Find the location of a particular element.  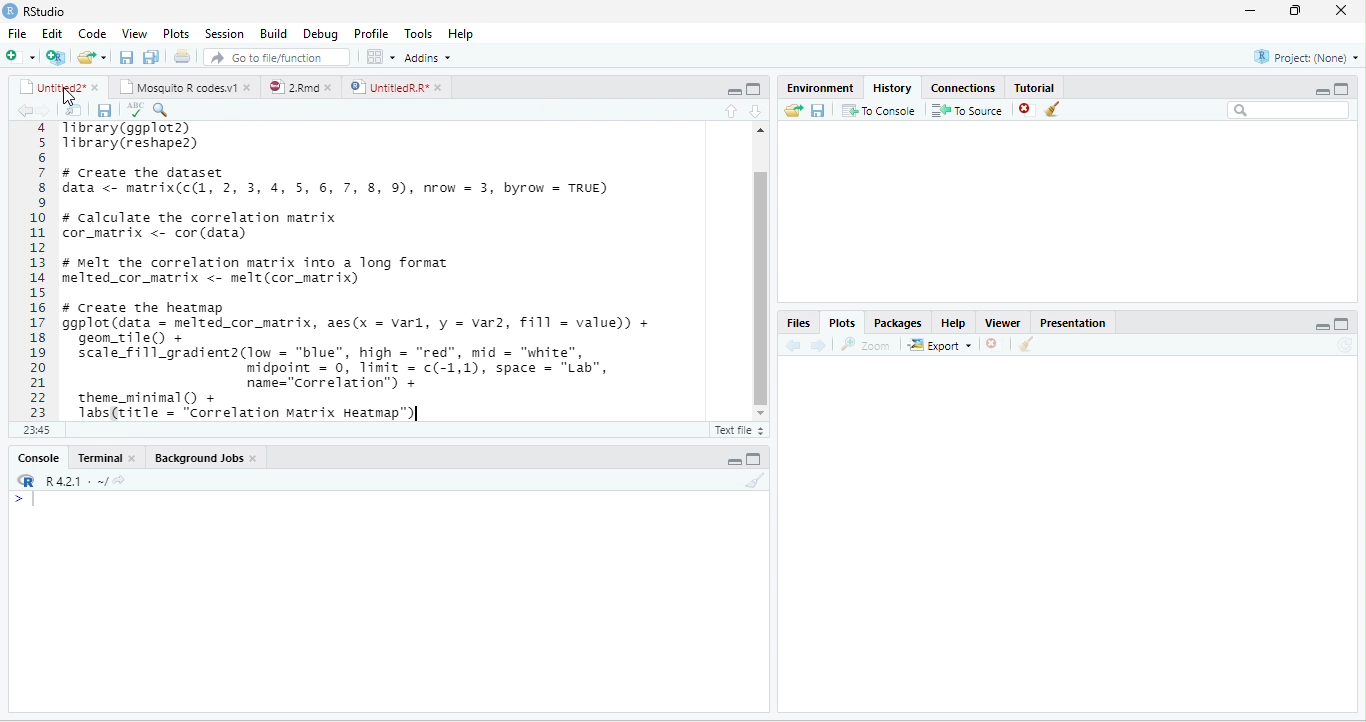

source on save is located at coordinates (169, 109).